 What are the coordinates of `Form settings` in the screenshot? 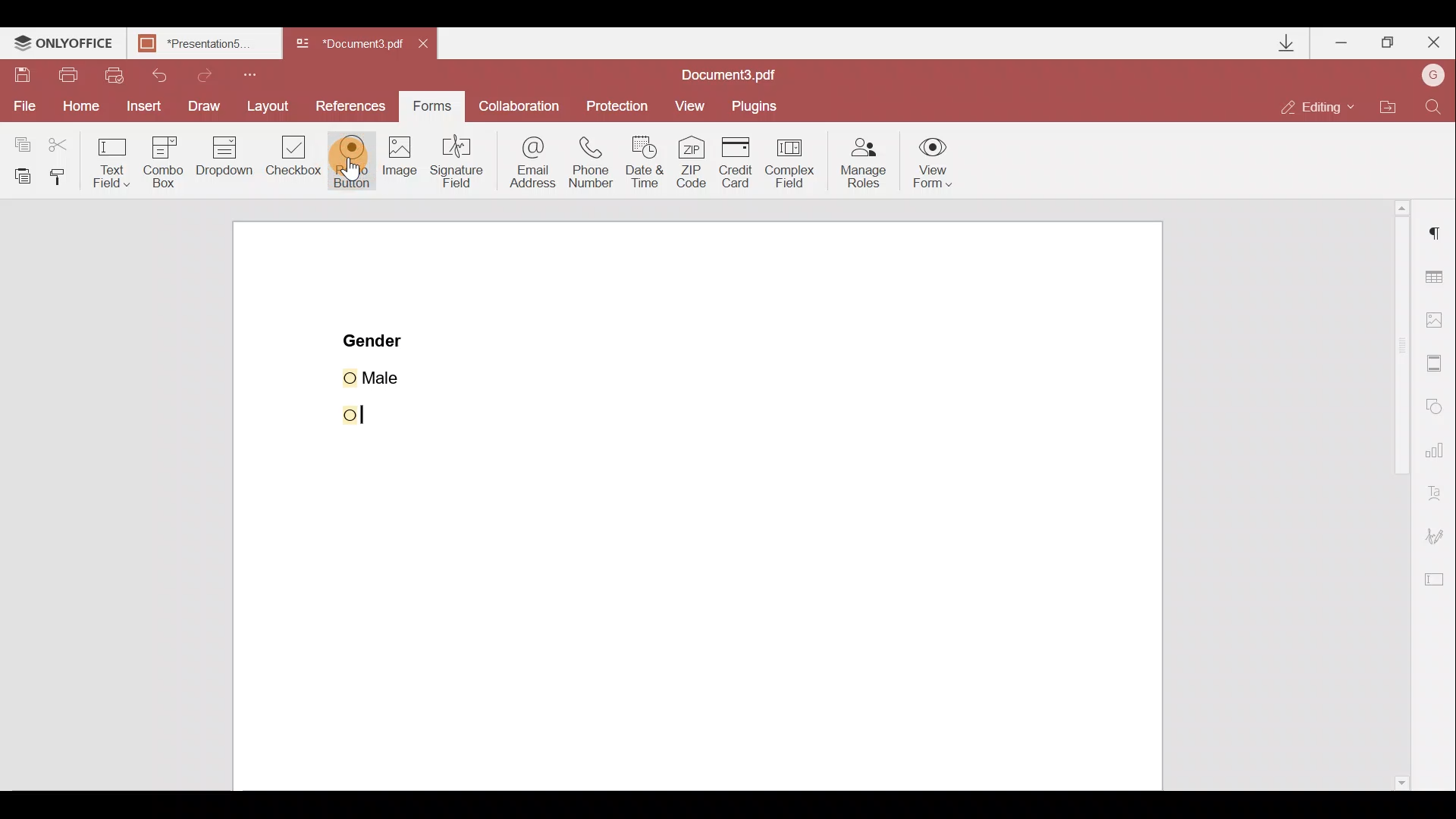 It's located at (1438, 583).